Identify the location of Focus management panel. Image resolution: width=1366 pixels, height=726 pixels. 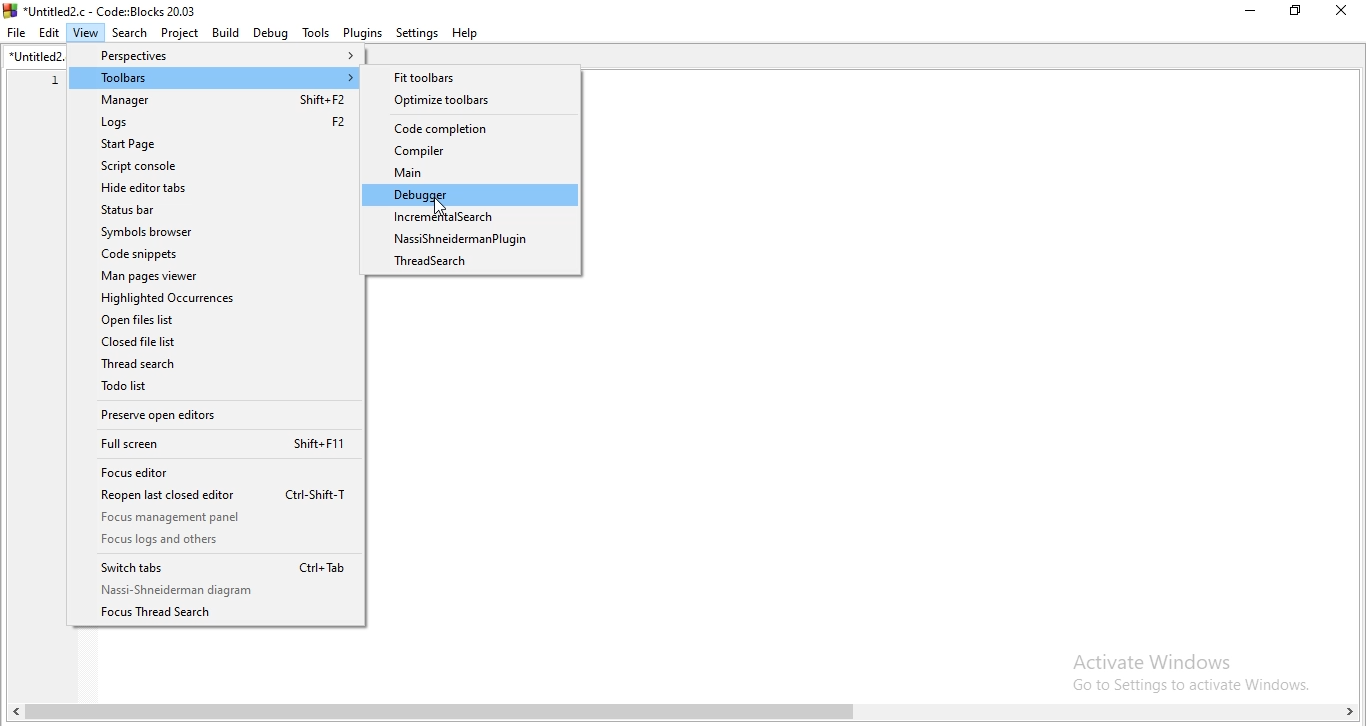
(216, 519).